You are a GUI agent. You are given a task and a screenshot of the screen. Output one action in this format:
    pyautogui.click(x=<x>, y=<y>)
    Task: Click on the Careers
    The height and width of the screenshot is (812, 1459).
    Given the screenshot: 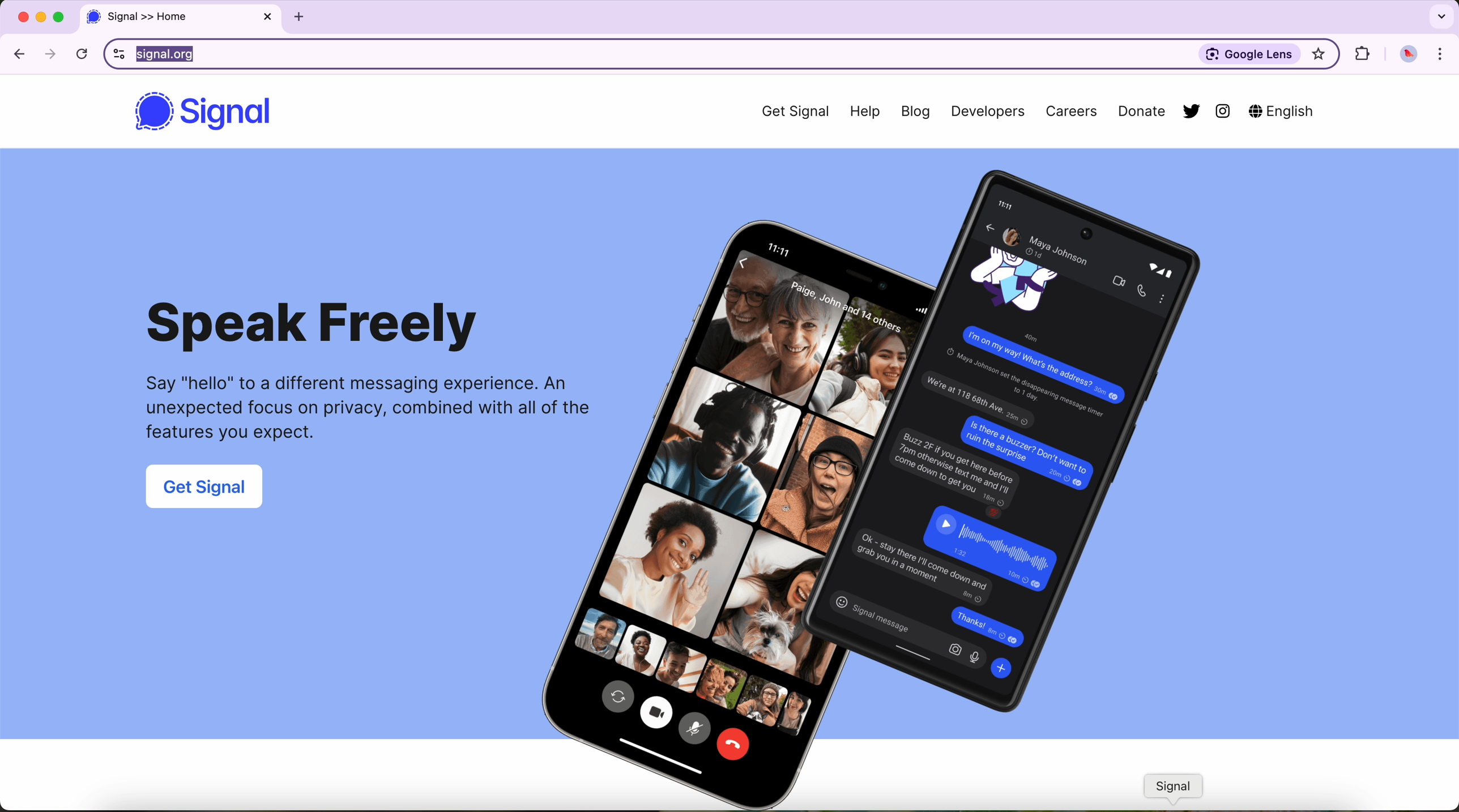 What is the action you would take?
    pyautogui.click(x=1070, y=113)
    